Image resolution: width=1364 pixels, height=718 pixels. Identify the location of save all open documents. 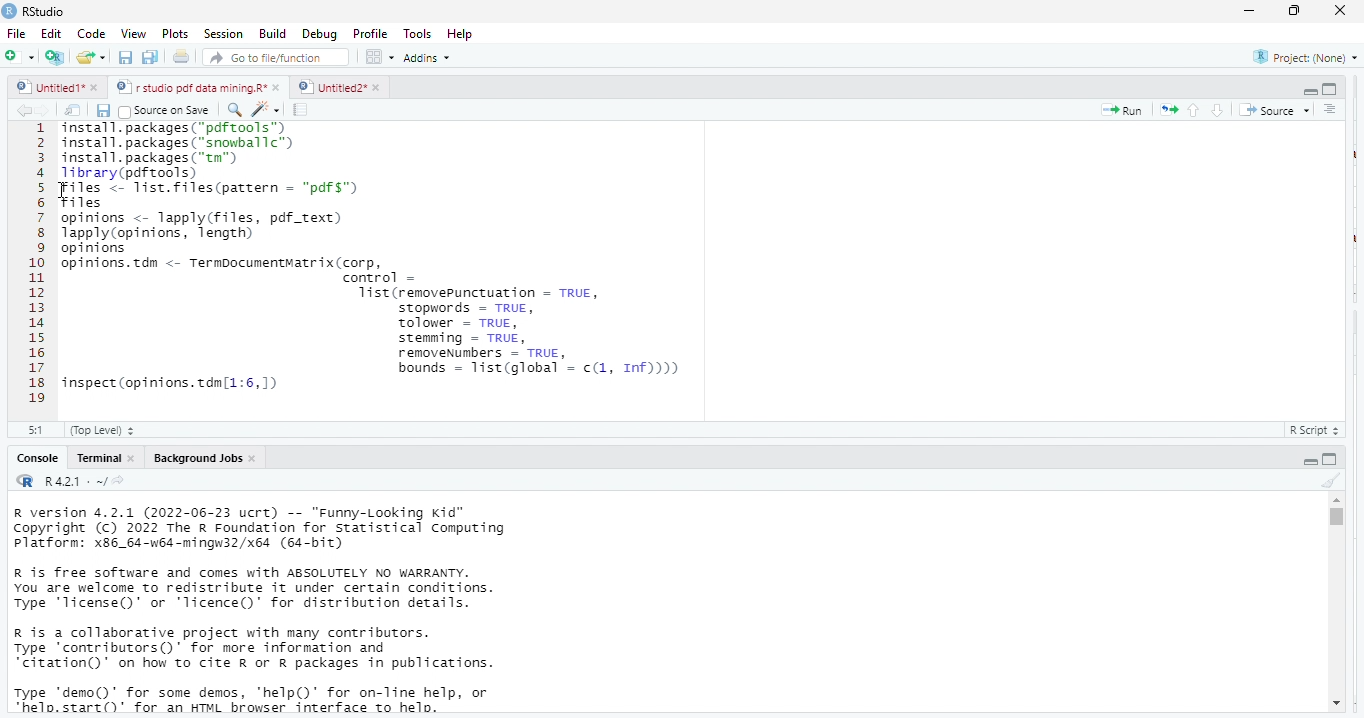
(151, 58).